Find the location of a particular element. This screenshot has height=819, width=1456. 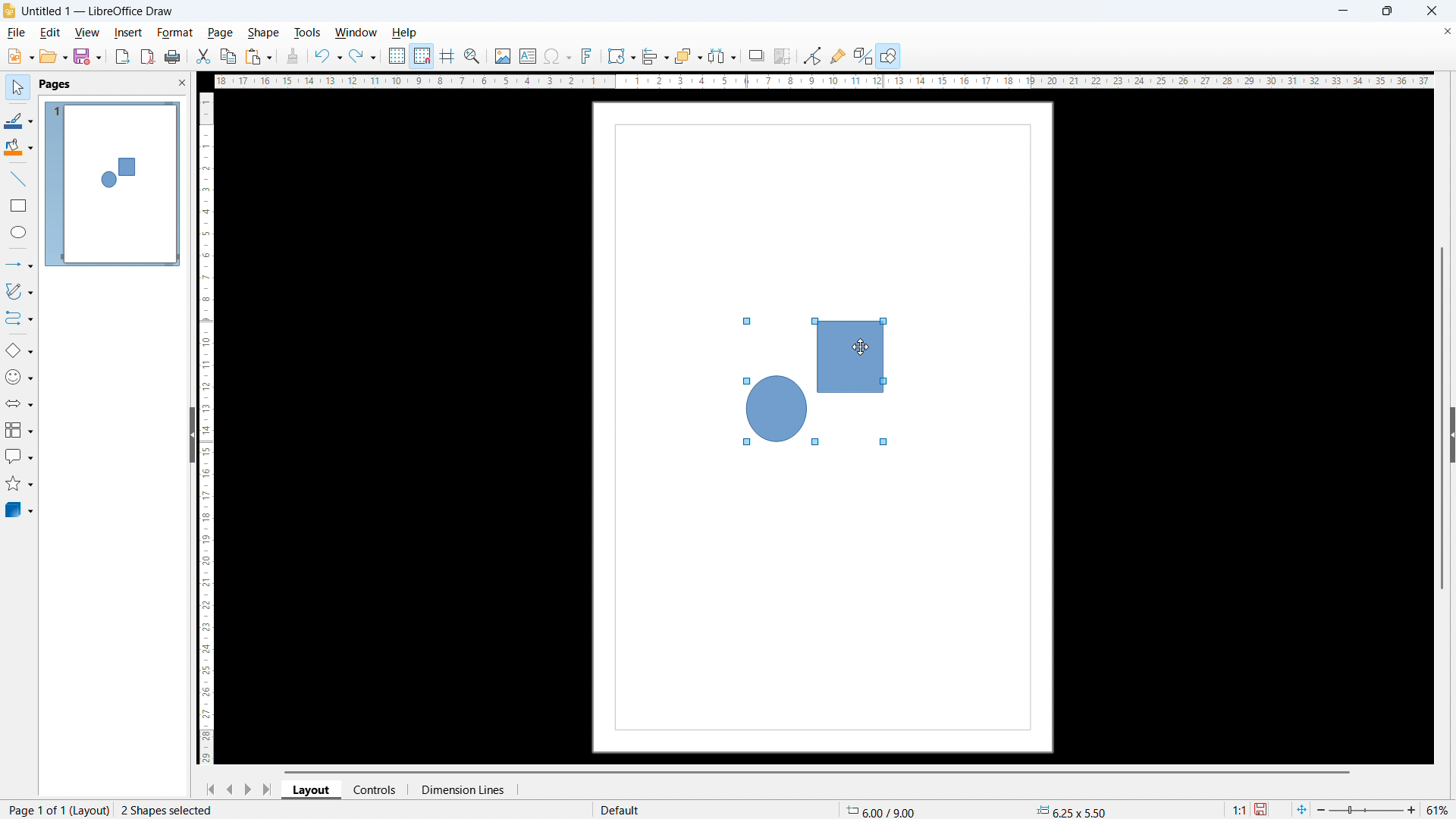

page is located at coordinates (221, 32).